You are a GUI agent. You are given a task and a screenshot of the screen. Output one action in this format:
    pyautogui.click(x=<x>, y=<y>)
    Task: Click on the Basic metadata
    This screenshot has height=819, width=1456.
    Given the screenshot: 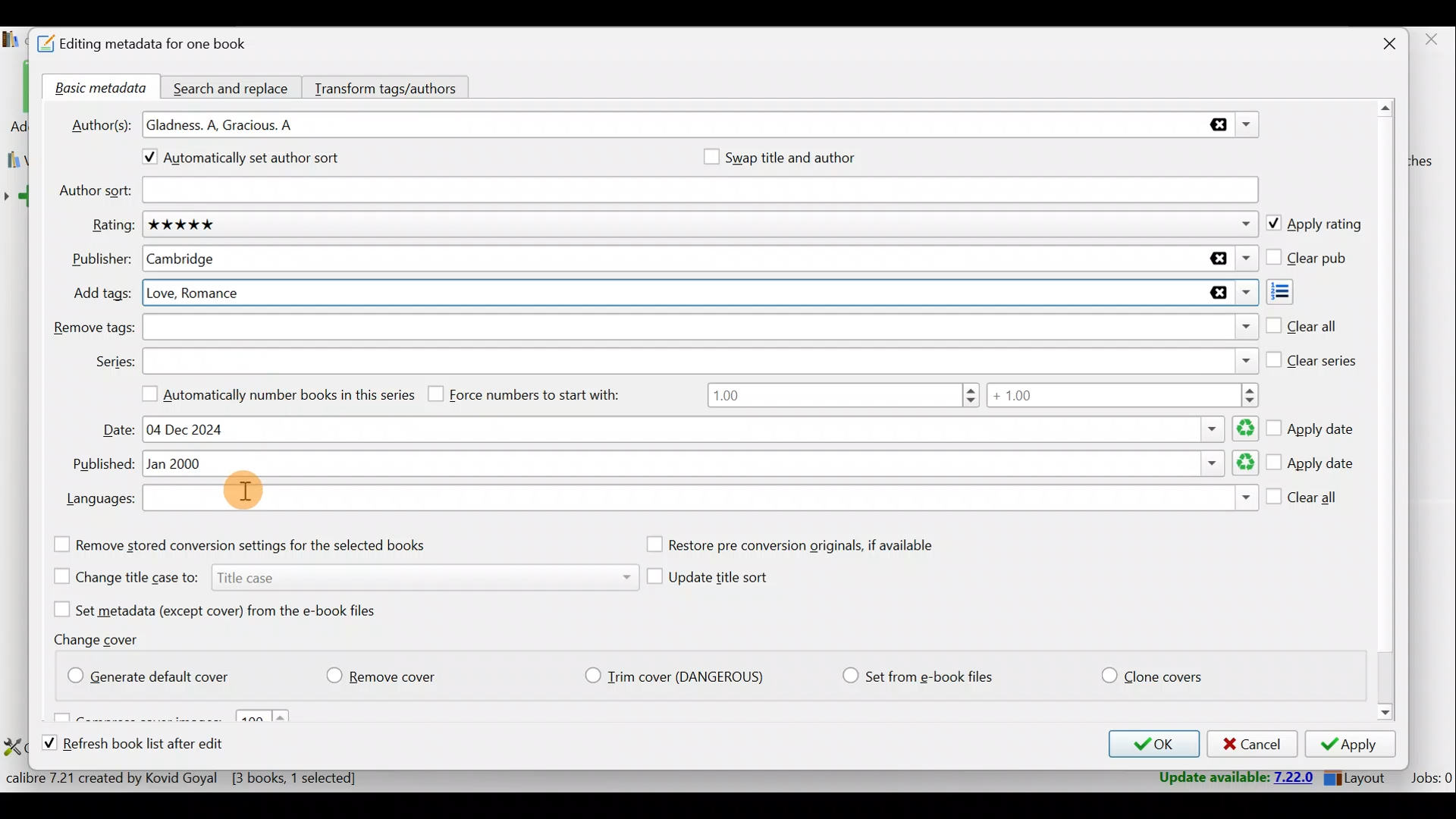 What is the action you would take?
    pyautogui.click(x=96, y=89)
    